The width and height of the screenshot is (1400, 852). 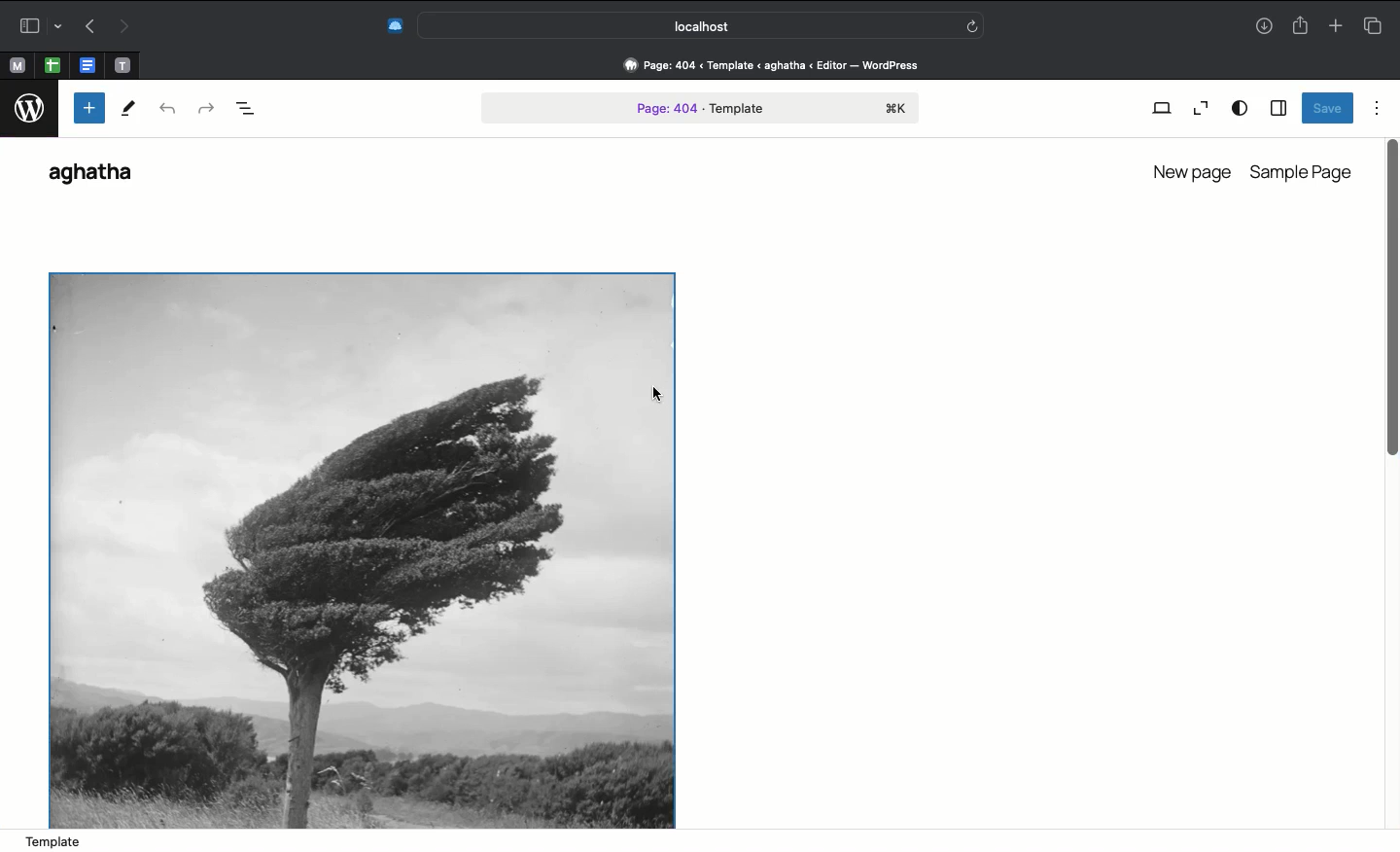 What do you see at coordinates (90, 25) in the screenshot?
I see `Undo` at bounding box center [90, 25].